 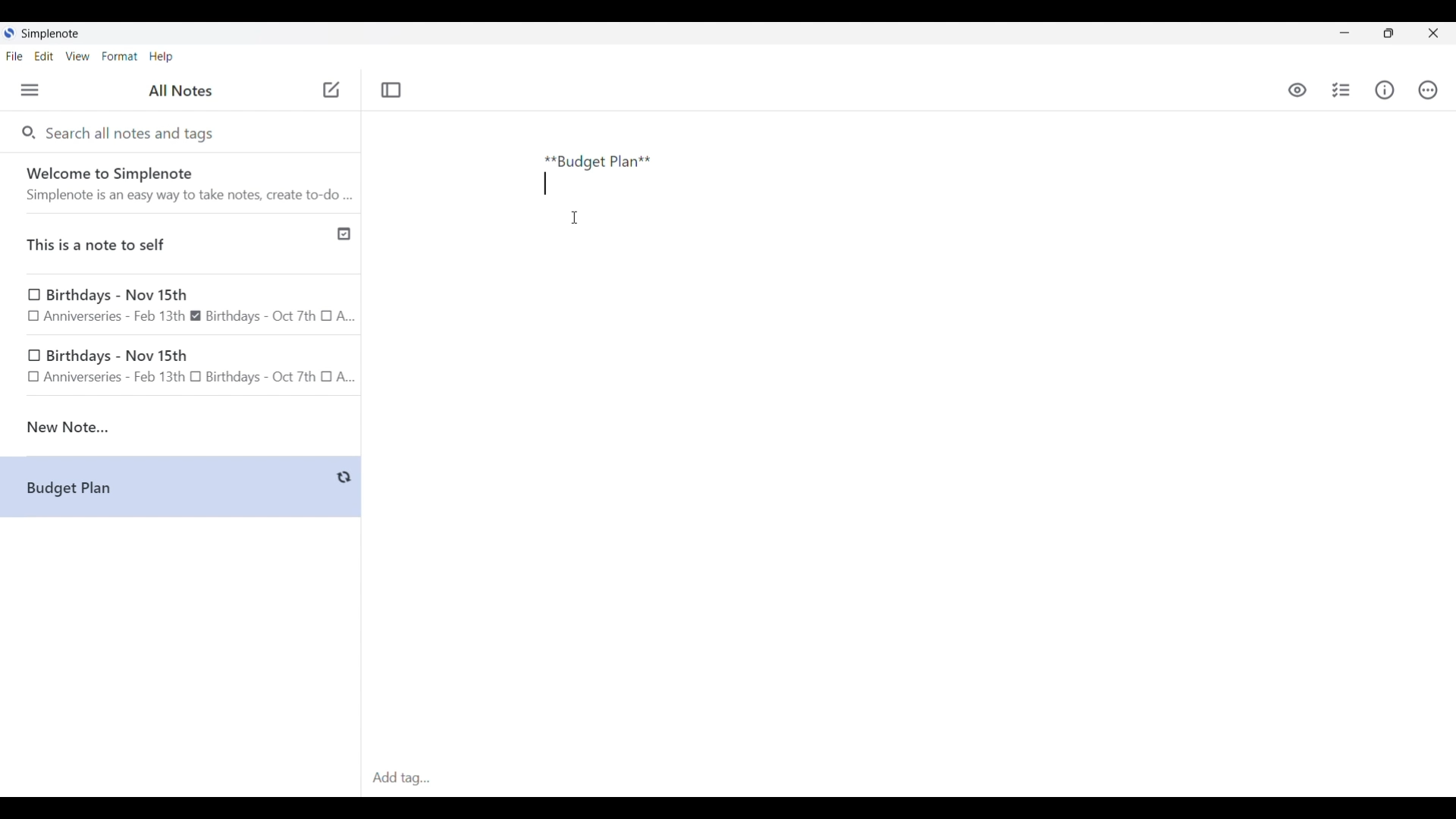 I want to click on Software name, so click(x=52, y=34).